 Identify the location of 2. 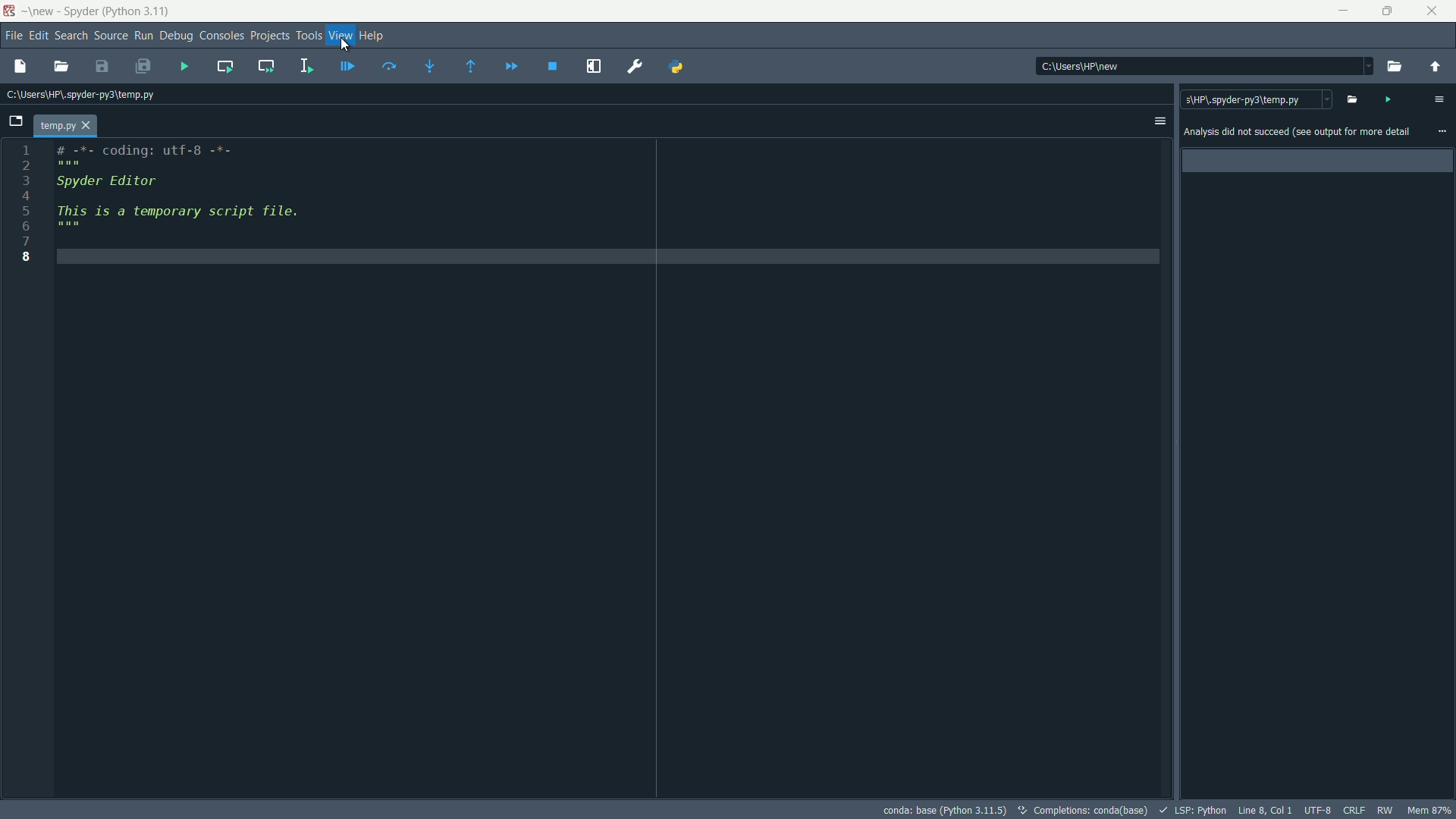
(30, 166).